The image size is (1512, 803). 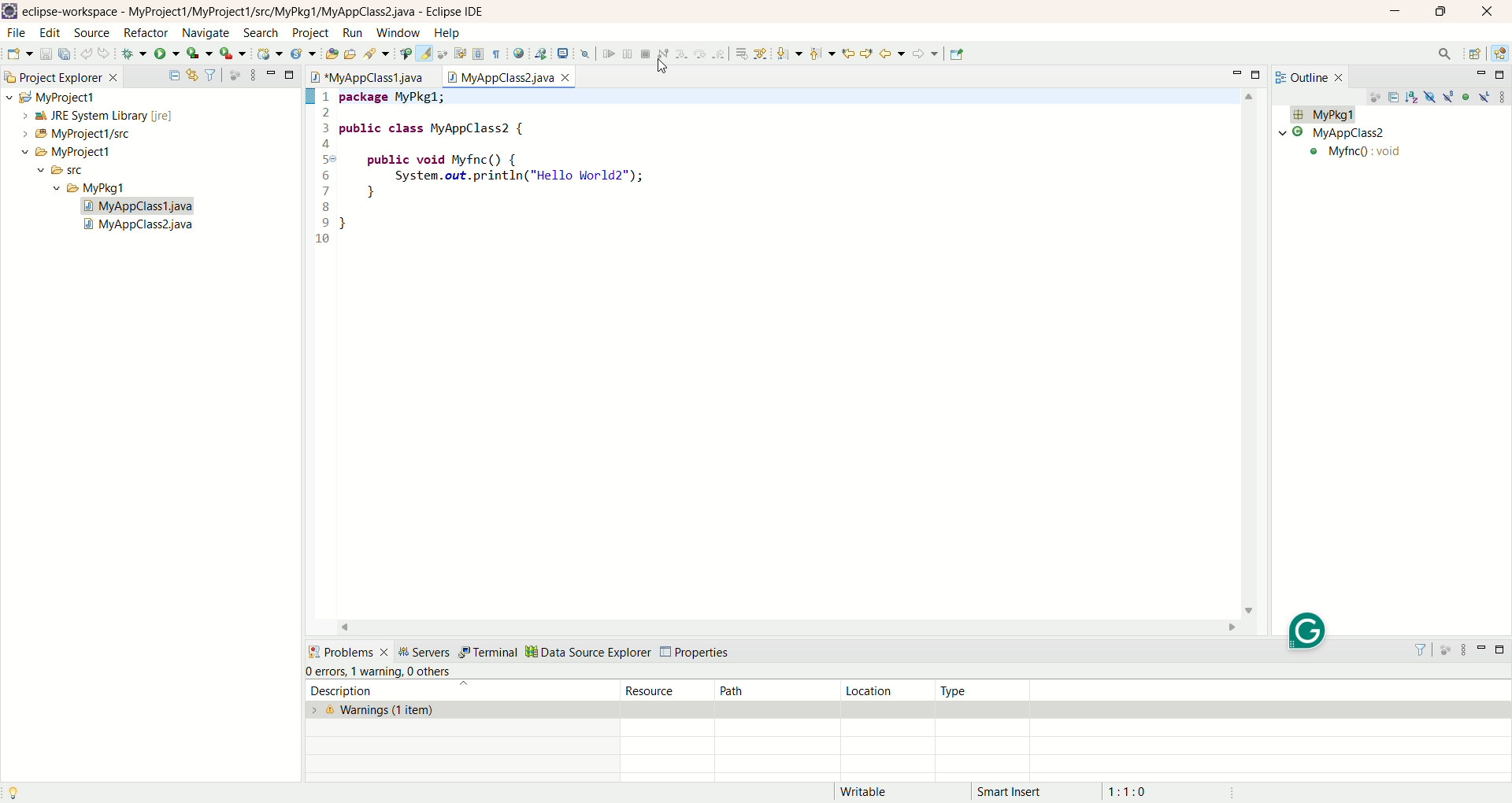 I want to click on view menu, so click(x=1463, y=650).